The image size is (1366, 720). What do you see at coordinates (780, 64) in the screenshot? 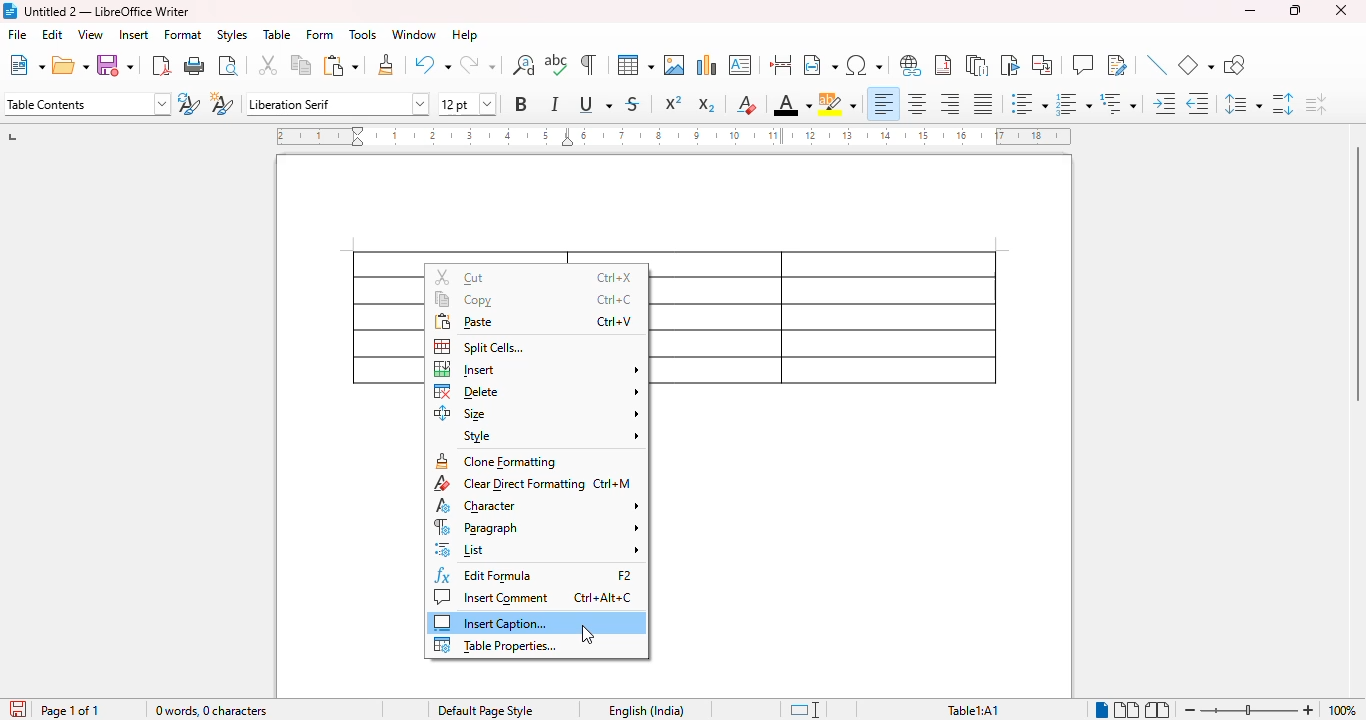
I see `insert page break` at bounding box center [780, 64].